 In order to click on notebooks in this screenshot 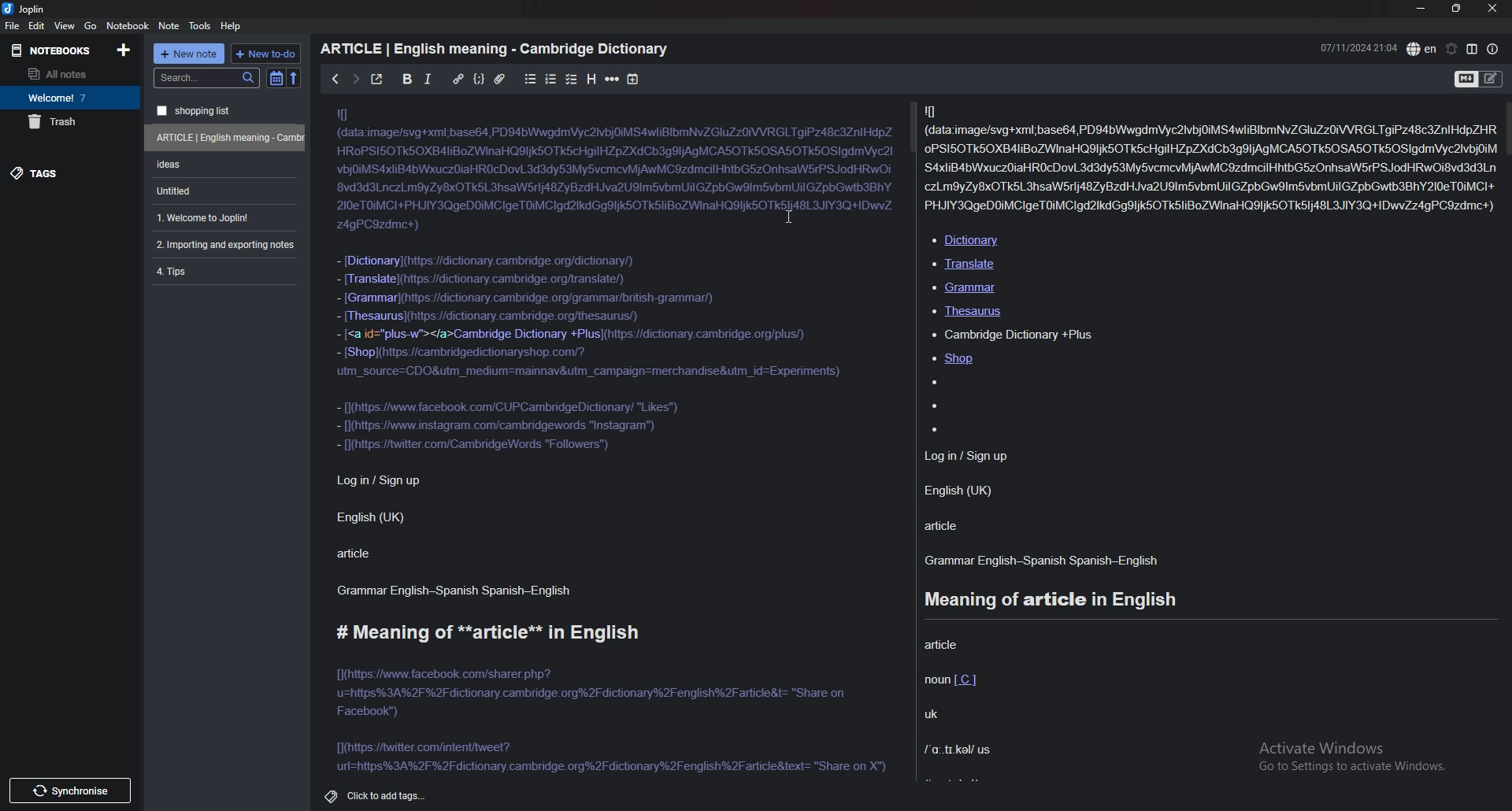, I will do `click(51, 50)`.